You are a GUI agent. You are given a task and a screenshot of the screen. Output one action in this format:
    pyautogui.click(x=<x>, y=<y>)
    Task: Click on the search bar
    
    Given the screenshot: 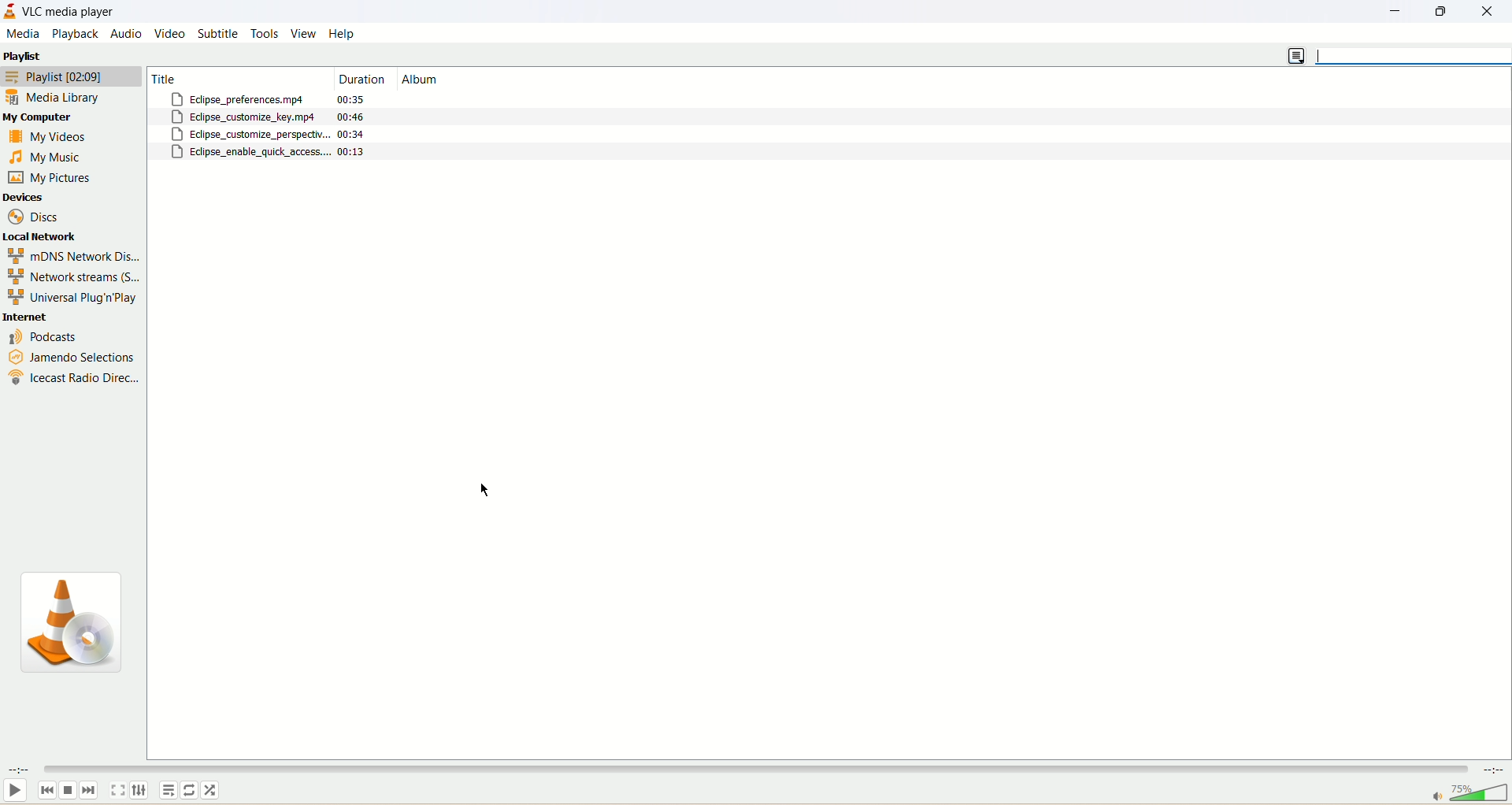 What is the action you would take?
    pyautogui.click(x=1414, y=56)
    